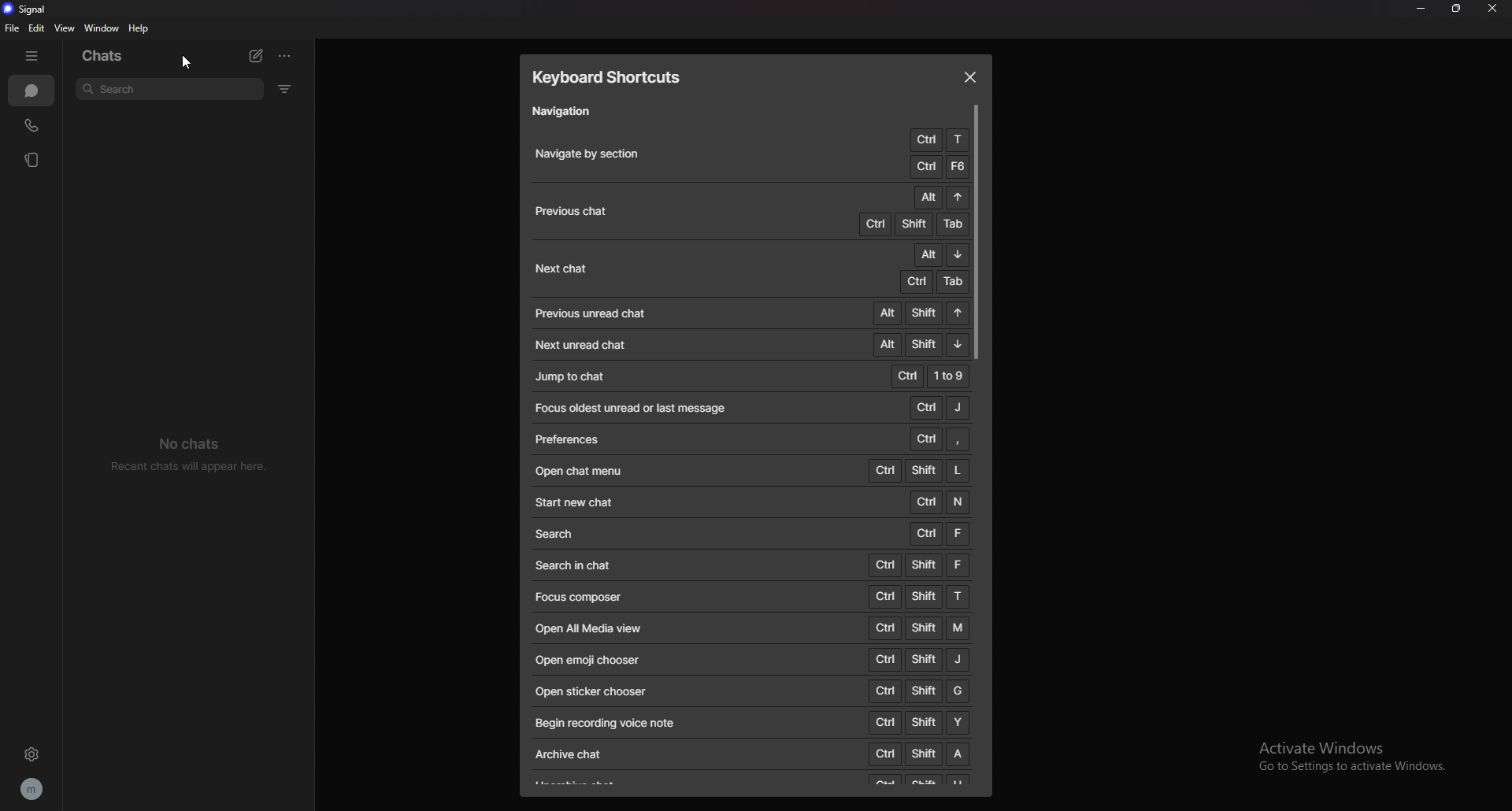 The image size is (1512, 811). Describe the element at coordinates (921, 659) in the screenshot. I see `CTRL + SHIFT + J` at that location.